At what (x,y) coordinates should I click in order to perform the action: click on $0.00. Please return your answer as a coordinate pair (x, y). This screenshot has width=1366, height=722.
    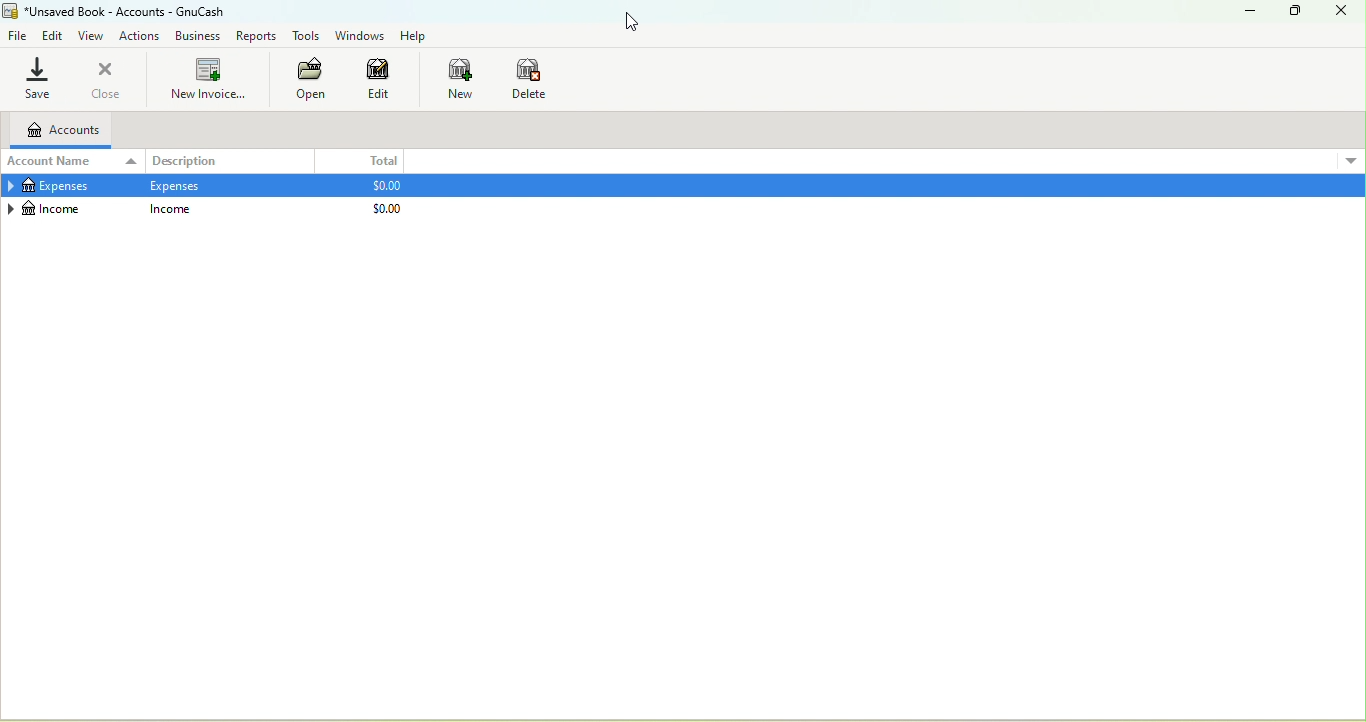
    Looking at the image, I should click on (387, 209).